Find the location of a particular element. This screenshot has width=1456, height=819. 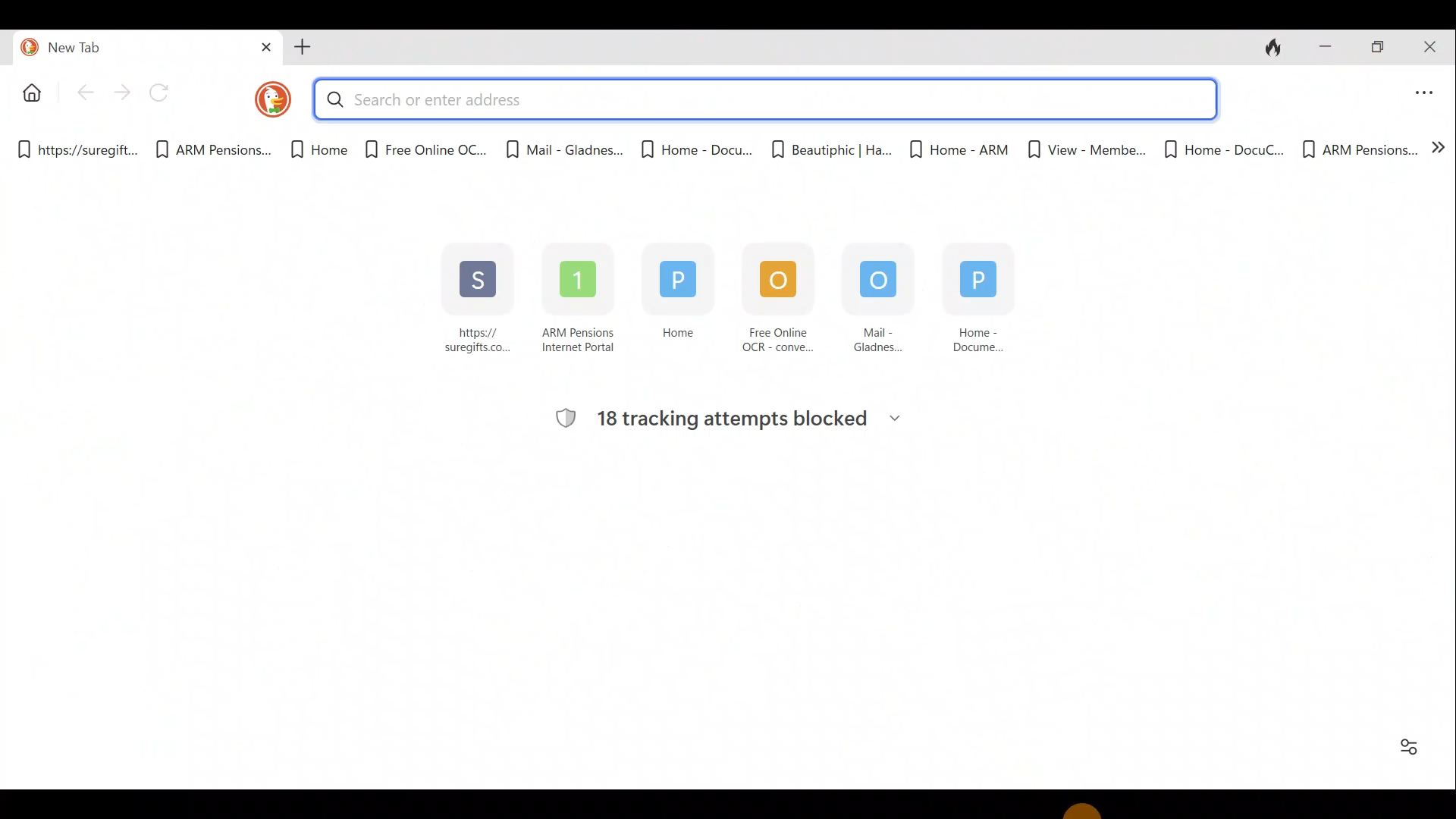

Mail - Gladnes... is located at coordinates (564, 144).